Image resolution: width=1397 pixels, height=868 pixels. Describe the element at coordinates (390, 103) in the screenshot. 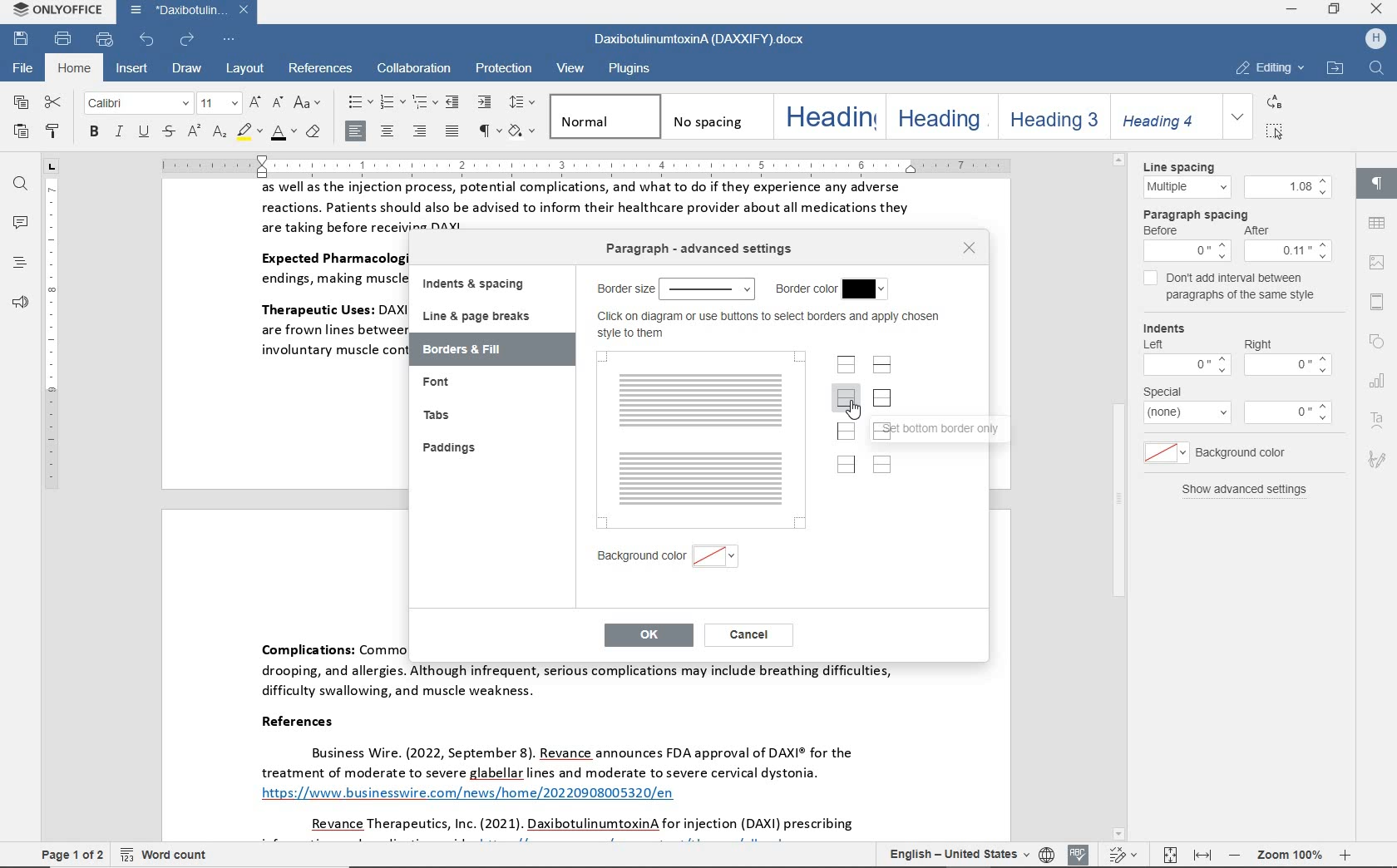

I see `numbering` at that location.